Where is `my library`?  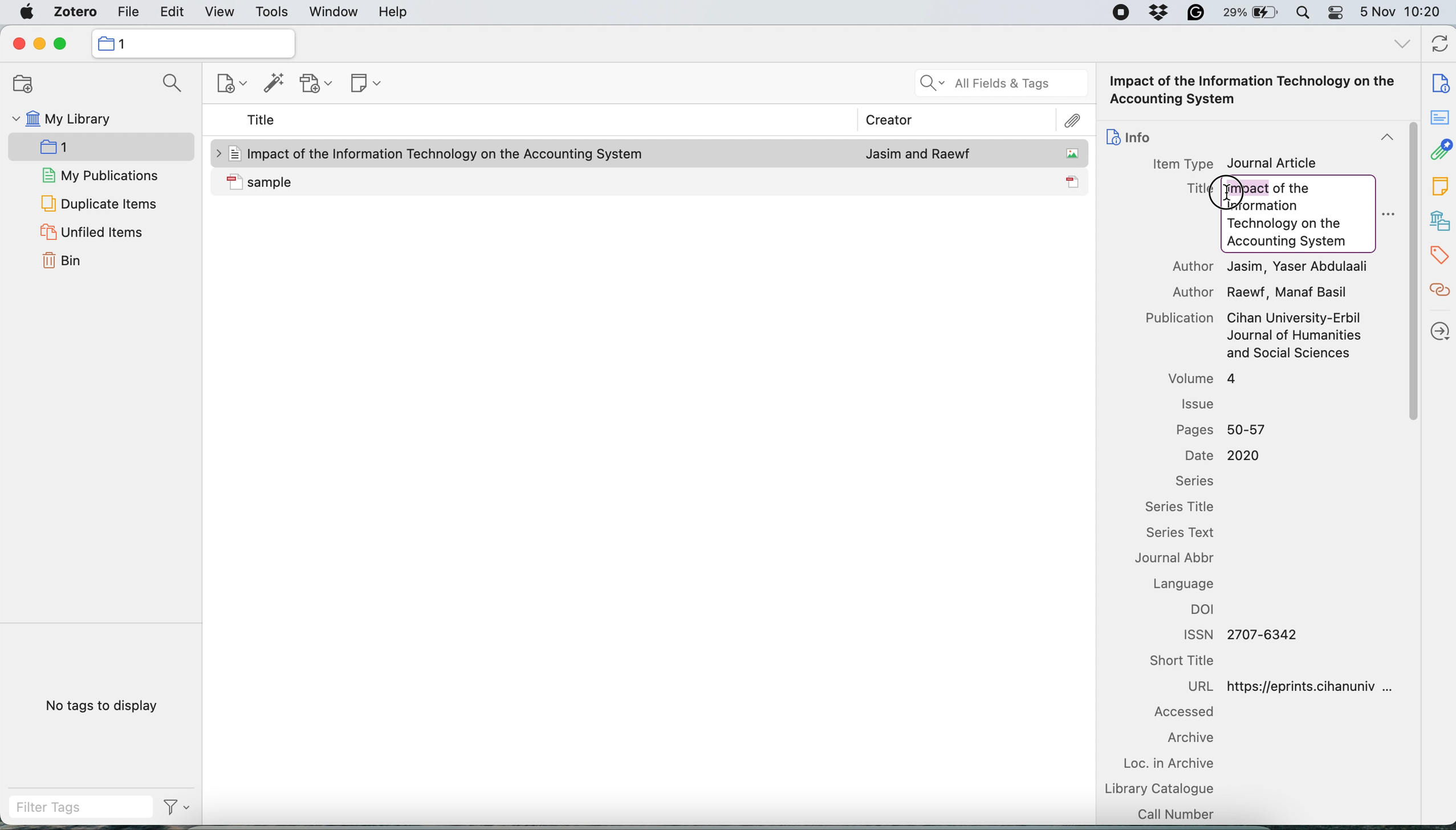 my library is located at coordinates (63, 117).